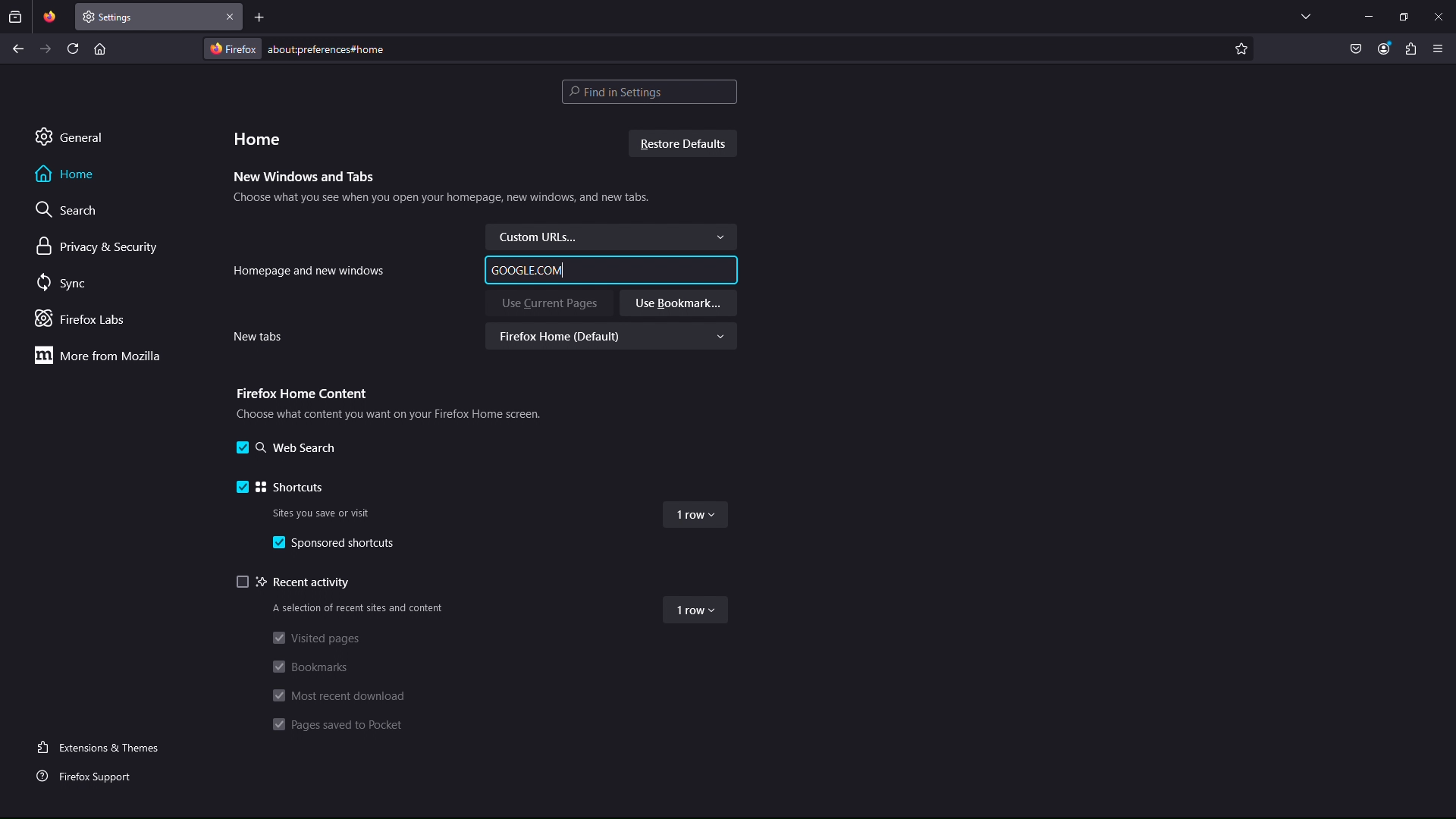 The image size is (1456, 819). What do you see at coordinates (325, 511) in the screenshot?
I see `Sites you save or visit` at bounding box center [325, 511].